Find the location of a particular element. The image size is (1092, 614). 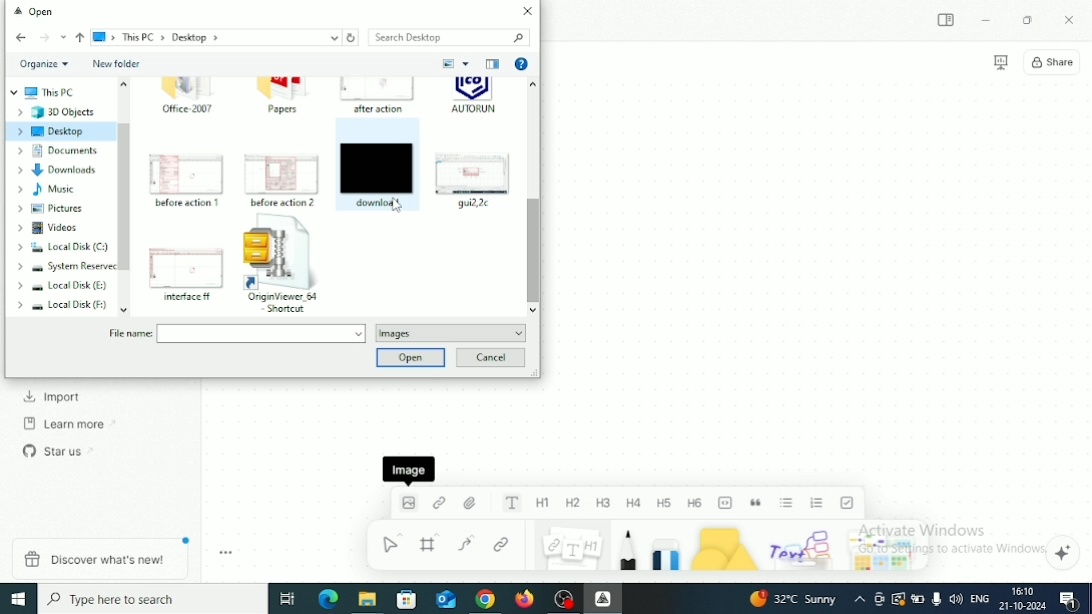

Affine AI is located at coordinates (1064, 552).